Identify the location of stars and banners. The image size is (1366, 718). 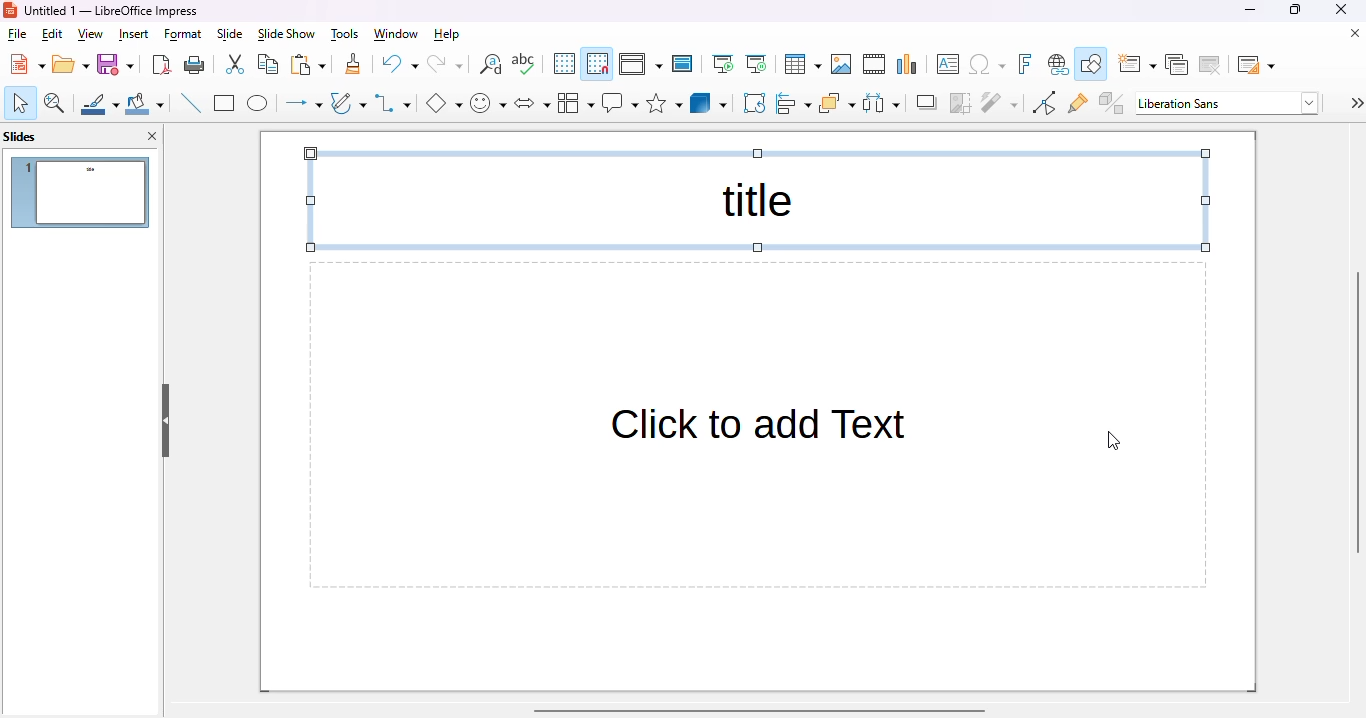
(664, 102).